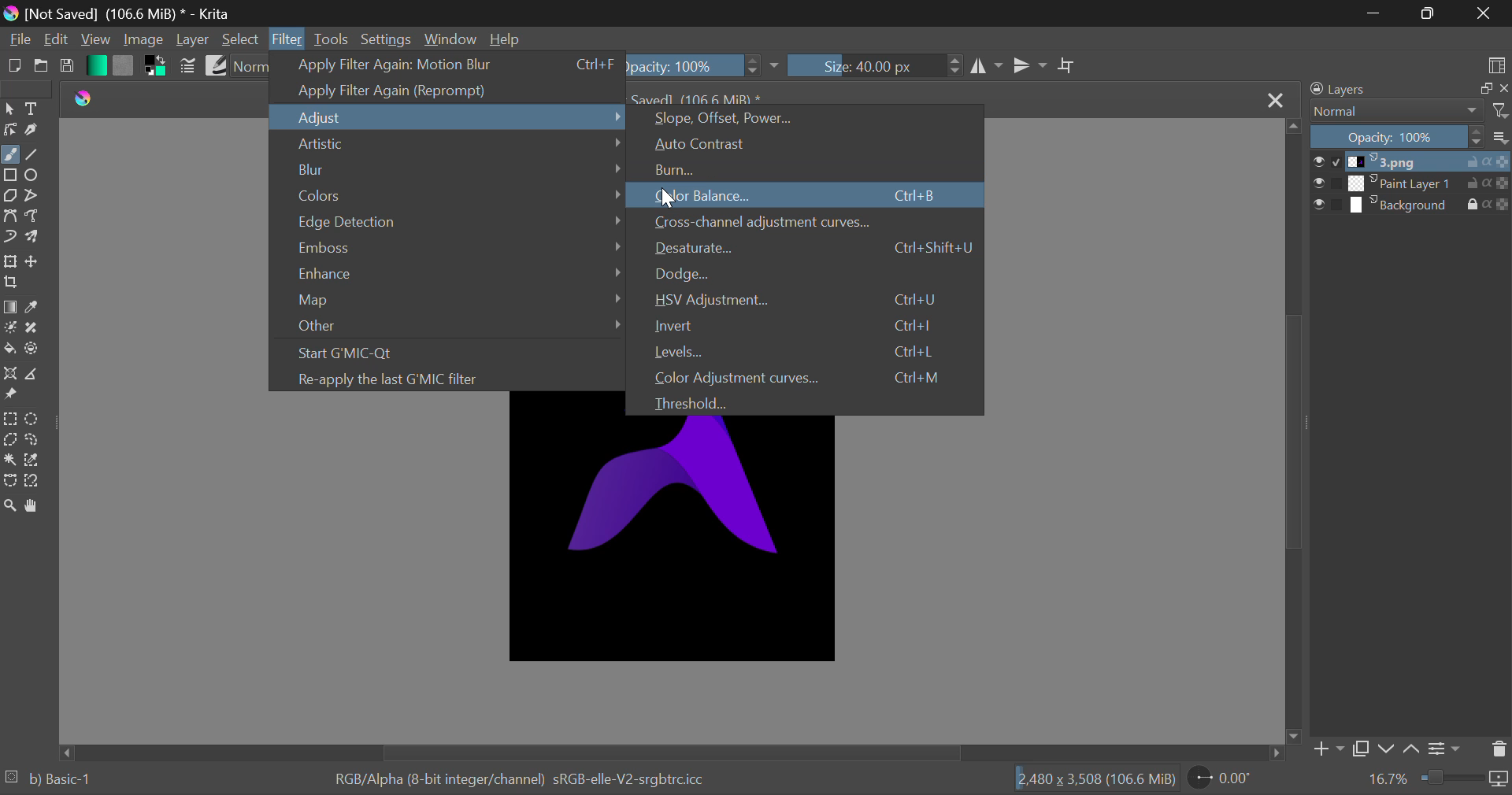 The height and width of the screenshot is (795, 1512). Describe the element at coordinates (450, 91) in the screenshot. I see `Apply Filter Again` at that location.